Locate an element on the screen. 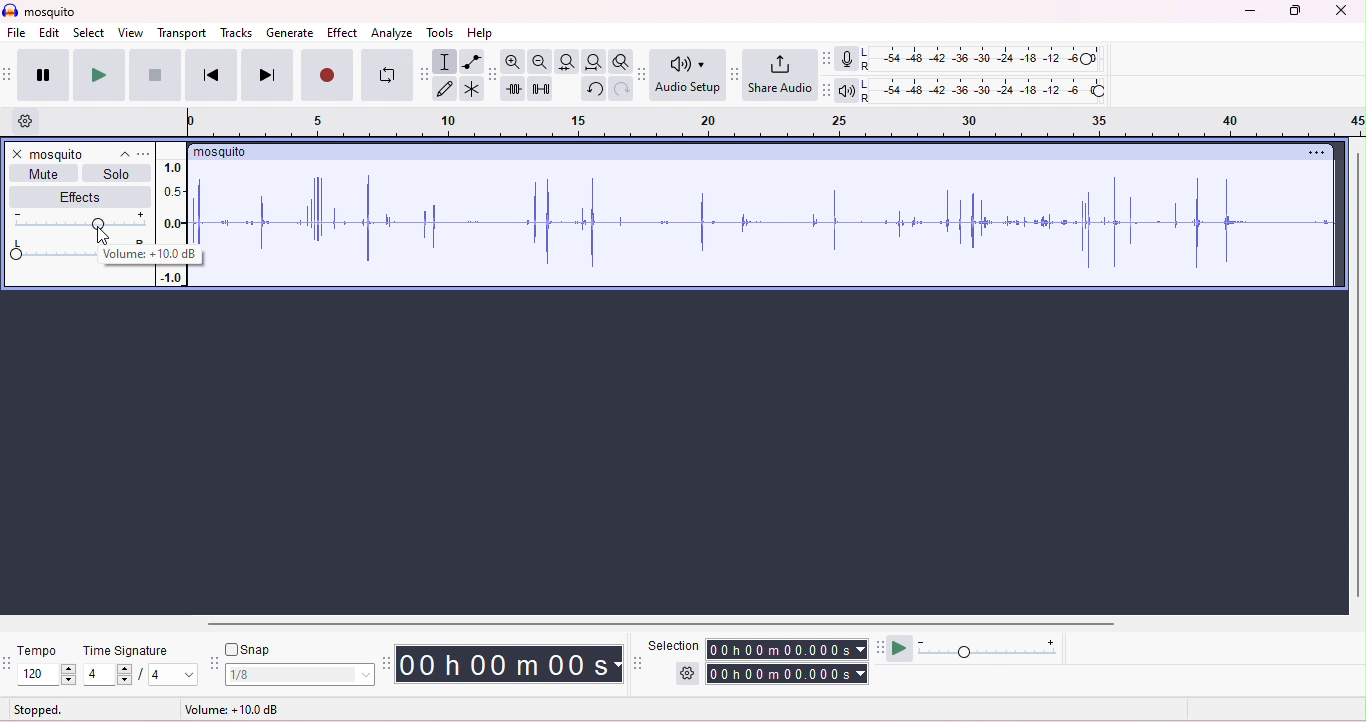 The width and height of the screenshot is (1366, 722). tracks is located at coordinates (237, 34).